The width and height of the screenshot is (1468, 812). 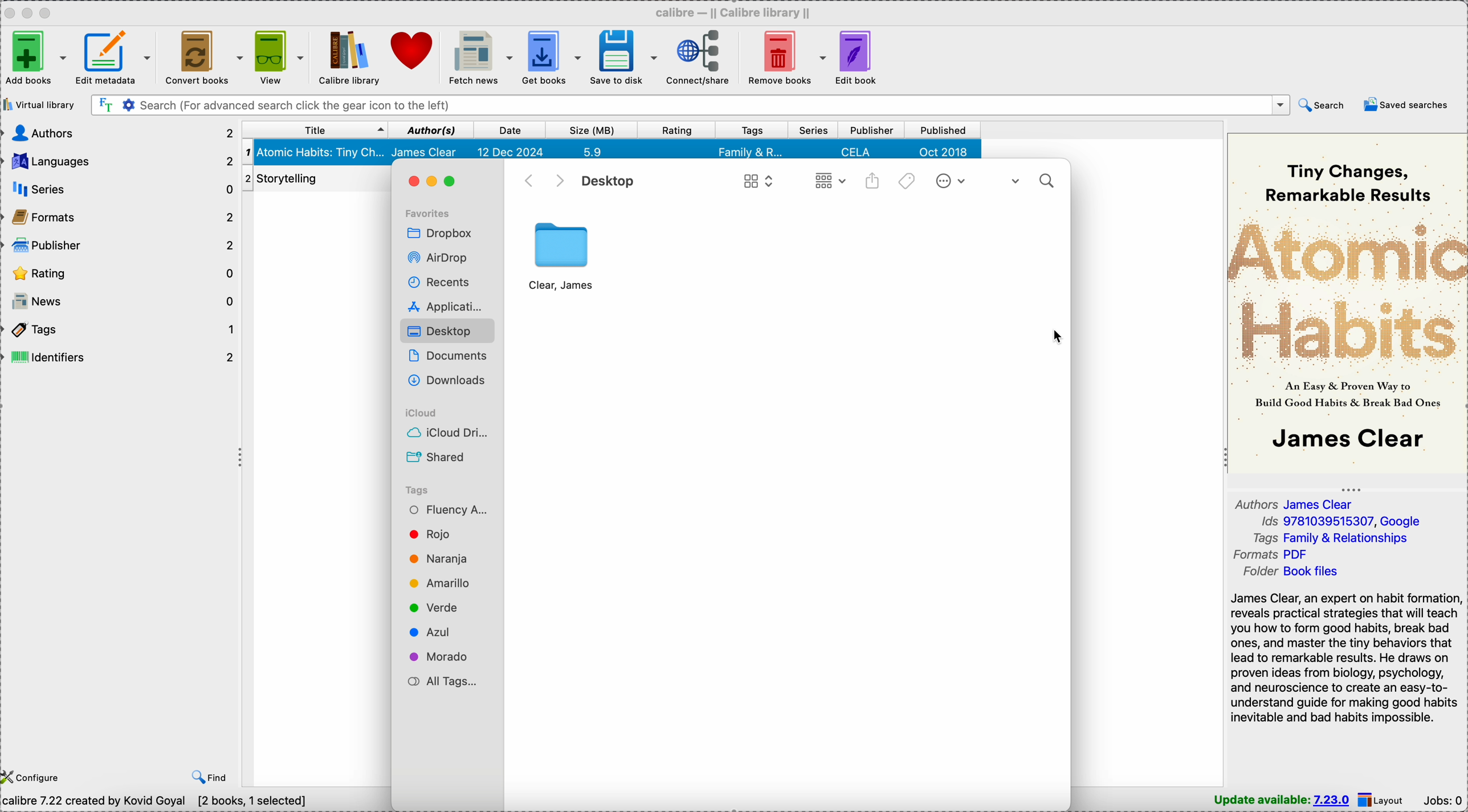 What do you see at coordinates (459, 183) in the screenshot?
I see `maximize` at bounding box center [459, 183].